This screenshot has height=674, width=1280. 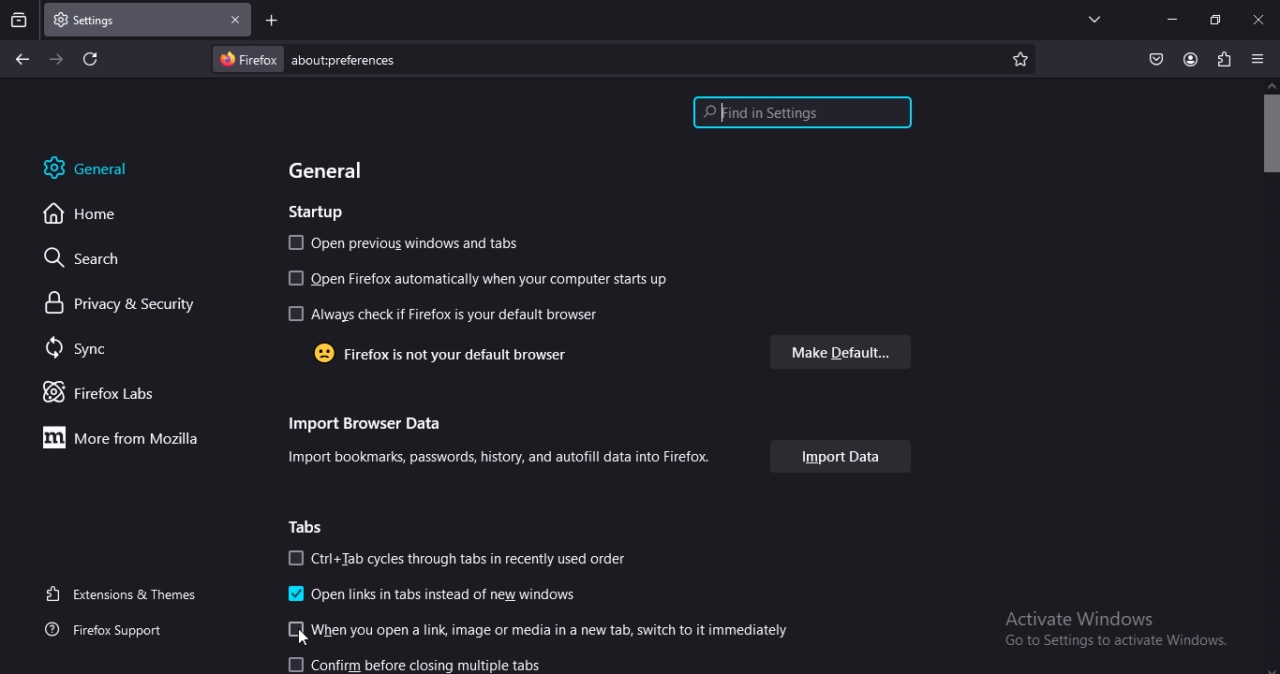 I want to click on extensions & themes, so click(x=121, y=594).